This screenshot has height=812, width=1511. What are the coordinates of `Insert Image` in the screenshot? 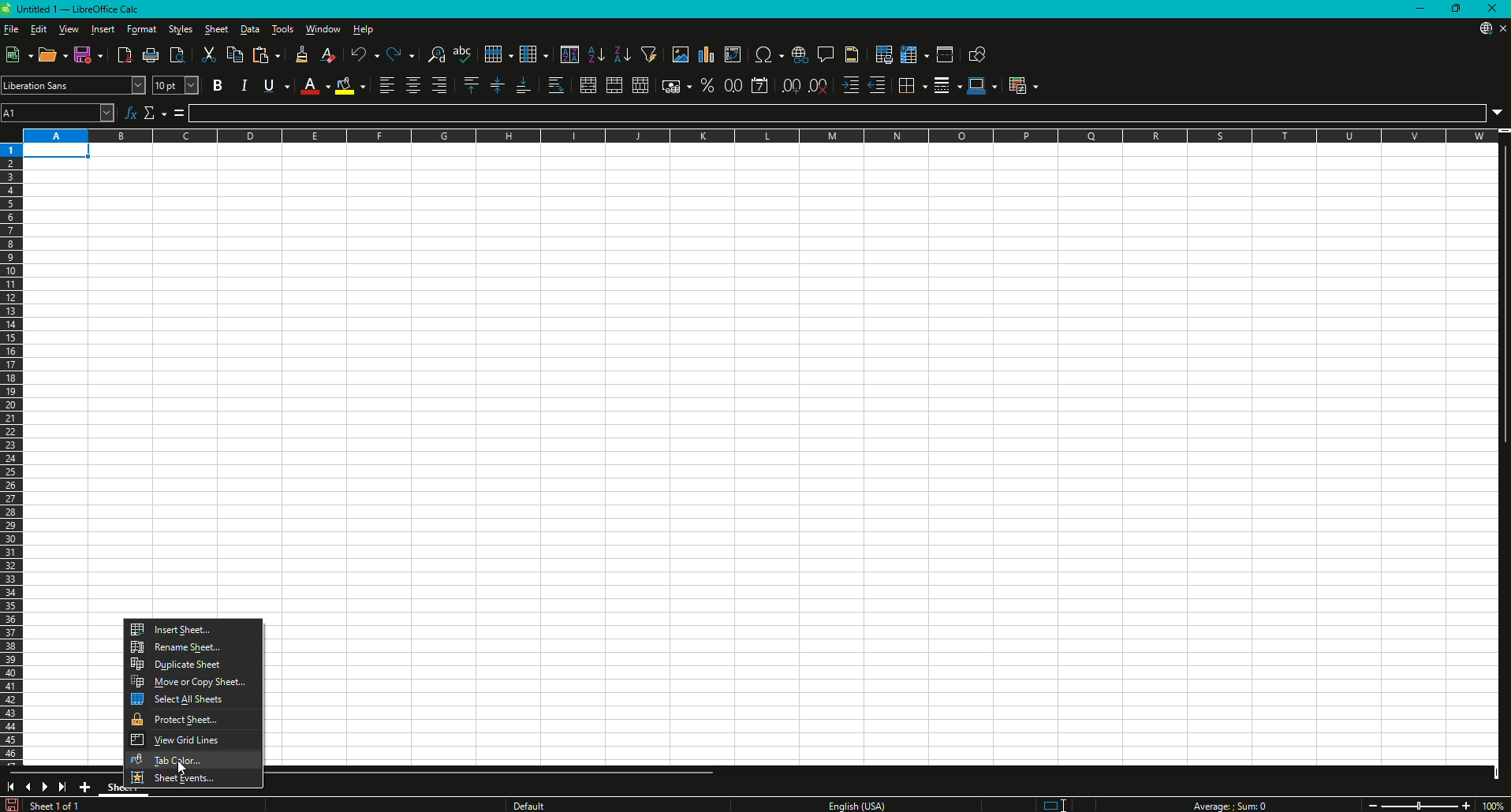 It's located at (680, 54).